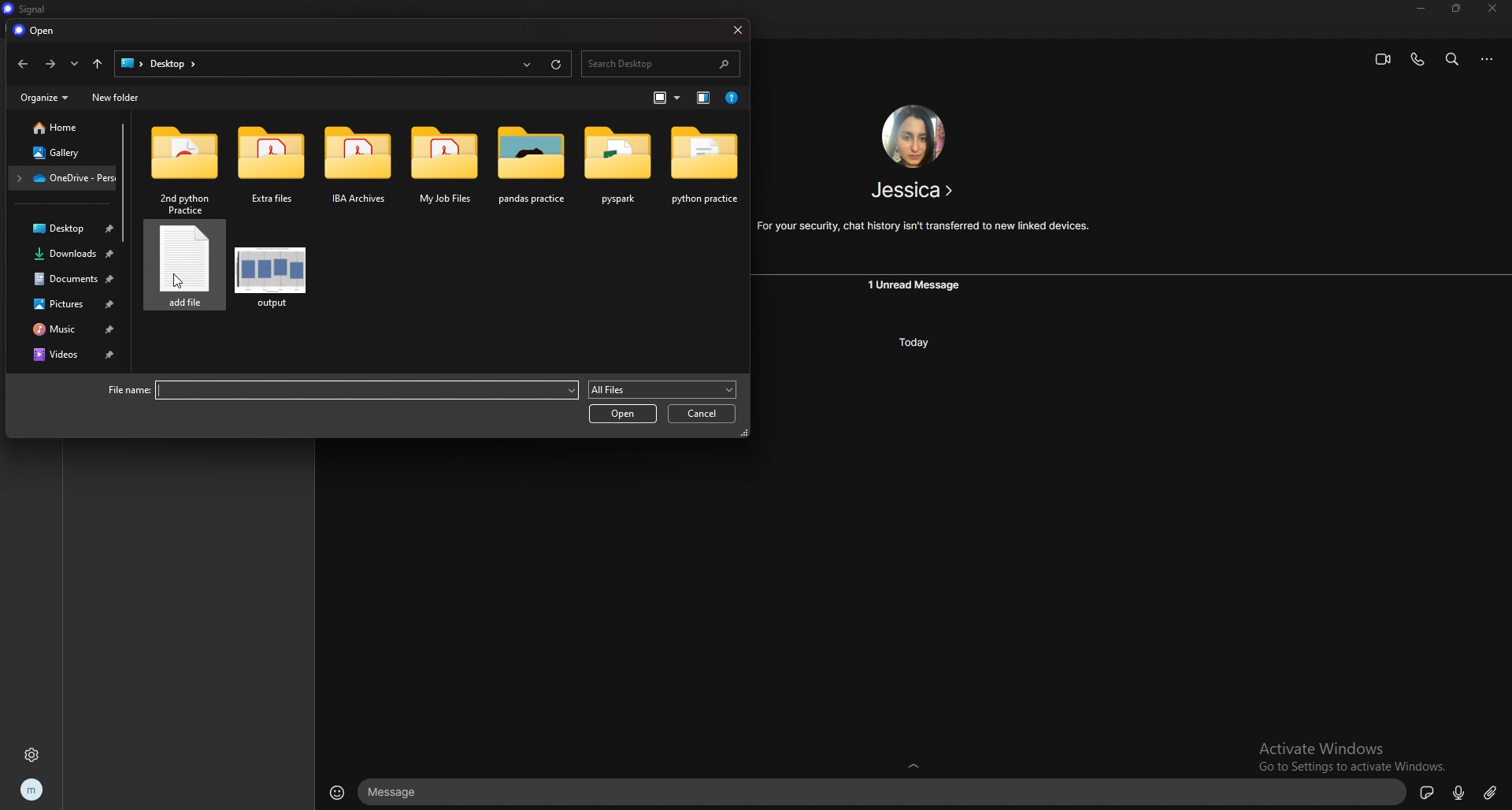 The width and height of the screenshot is (1512, 810). I want to click on resize, so click(1456, 8).